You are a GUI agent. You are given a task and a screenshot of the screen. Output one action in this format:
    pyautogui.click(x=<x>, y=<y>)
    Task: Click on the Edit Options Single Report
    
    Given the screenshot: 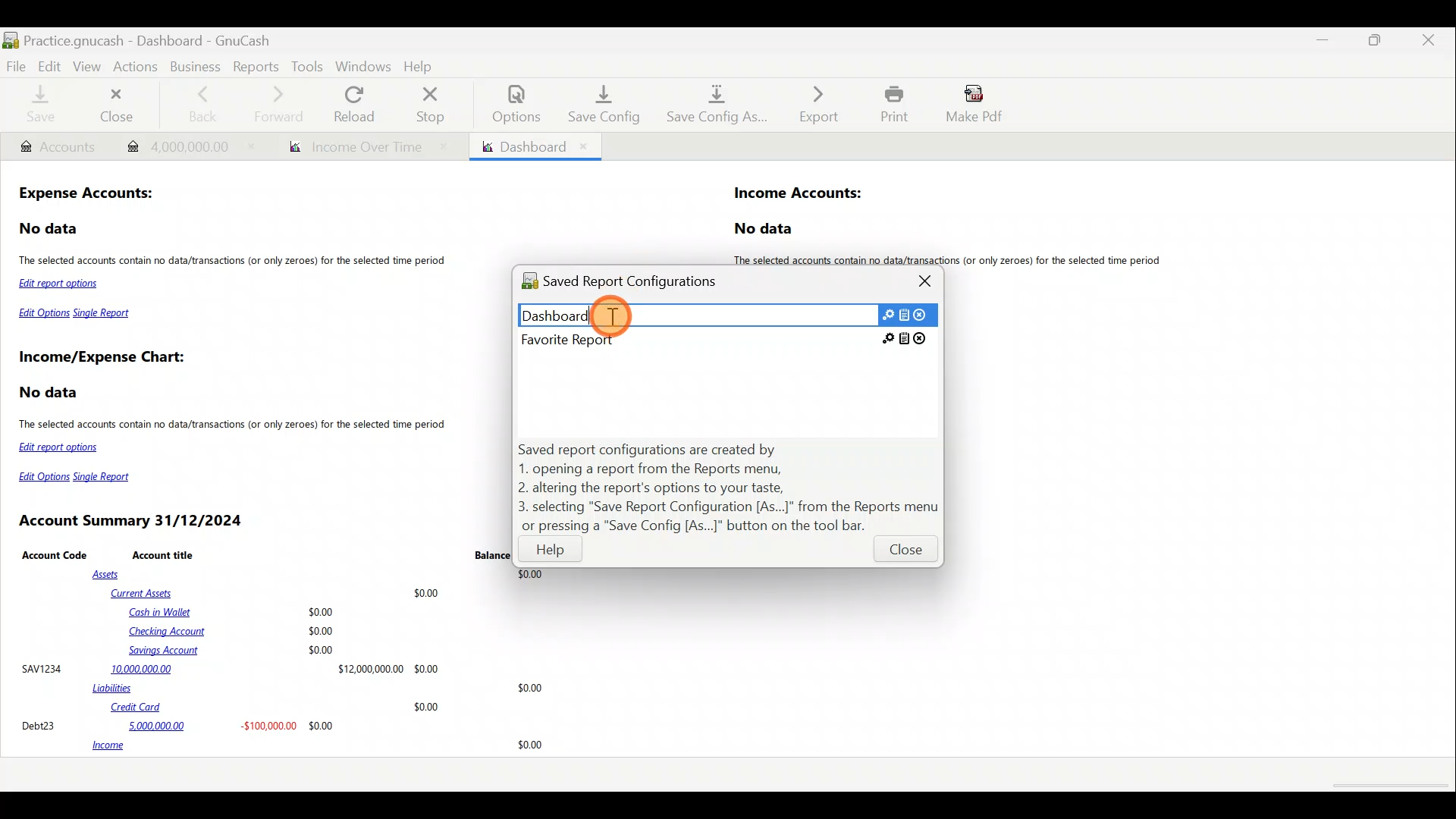 What is the action you would take?
    pyautogui.click(x=76, y=316)
    